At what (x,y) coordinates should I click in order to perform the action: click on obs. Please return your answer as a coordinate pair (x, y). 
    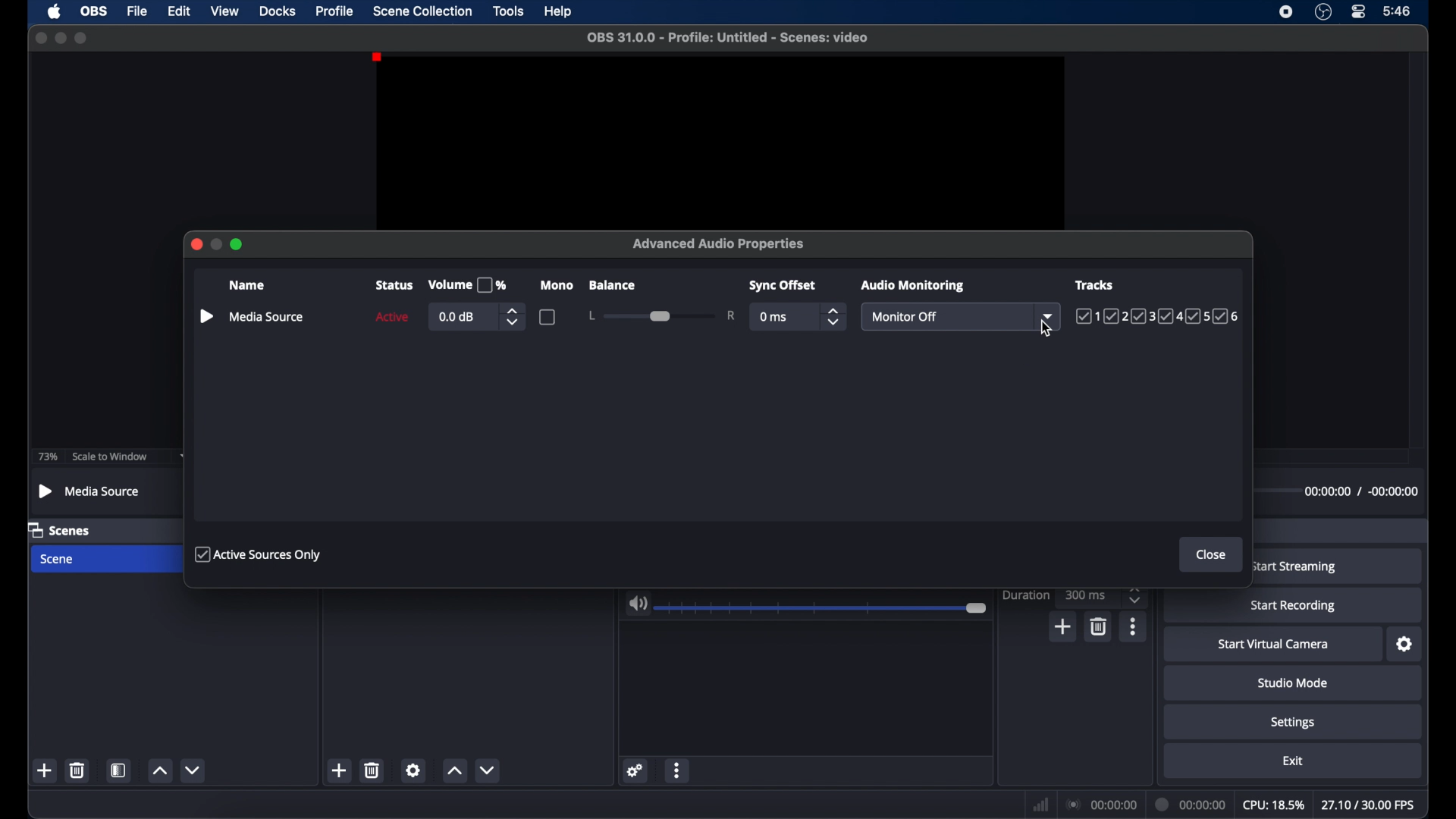
    Looking at the image, I should click on (93, 11).